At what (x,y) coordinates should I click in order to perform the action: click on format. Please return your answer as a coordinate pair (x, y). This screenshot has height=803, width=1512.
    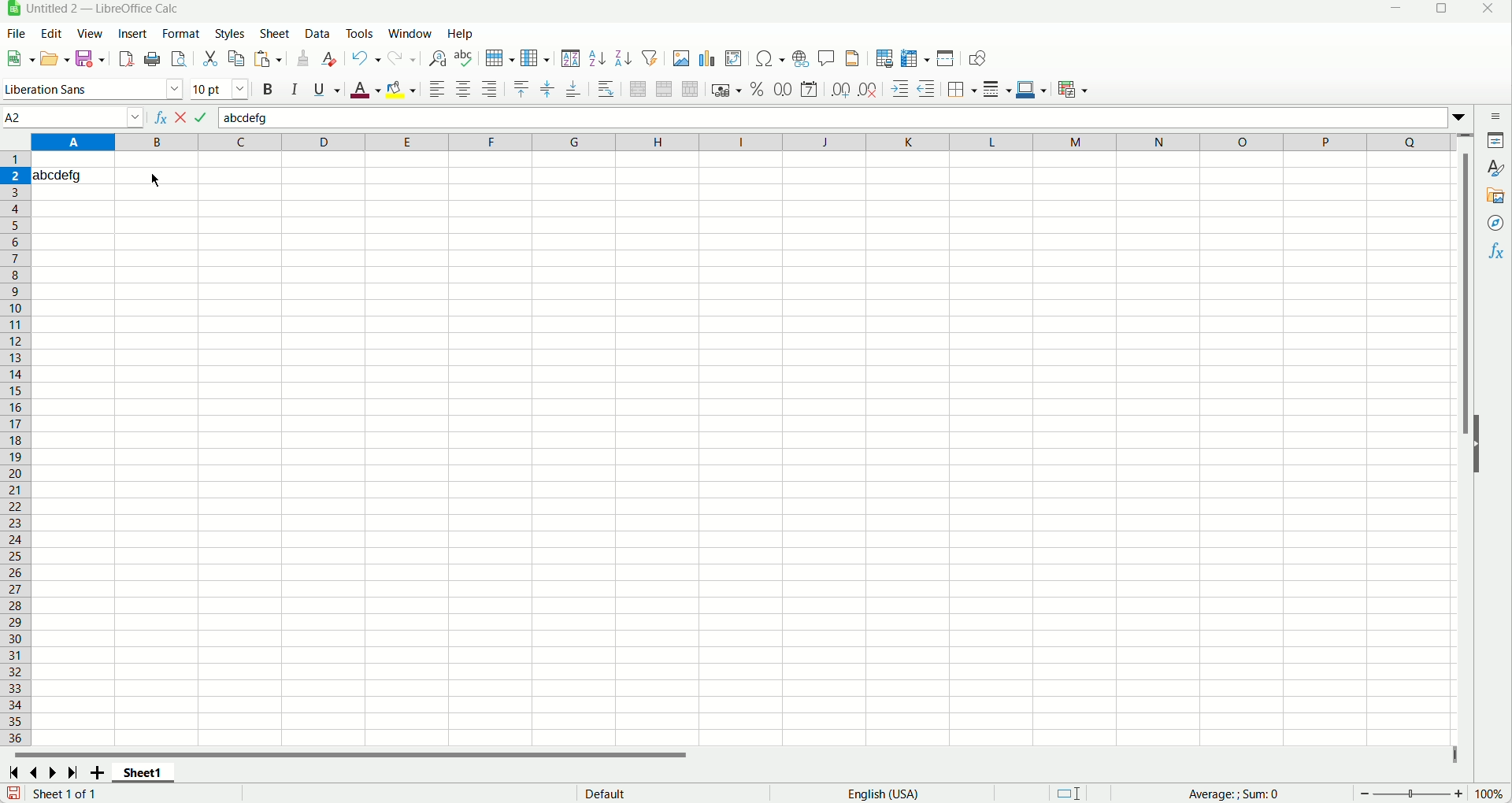
    Looking at the image, I should click on (183, 34).